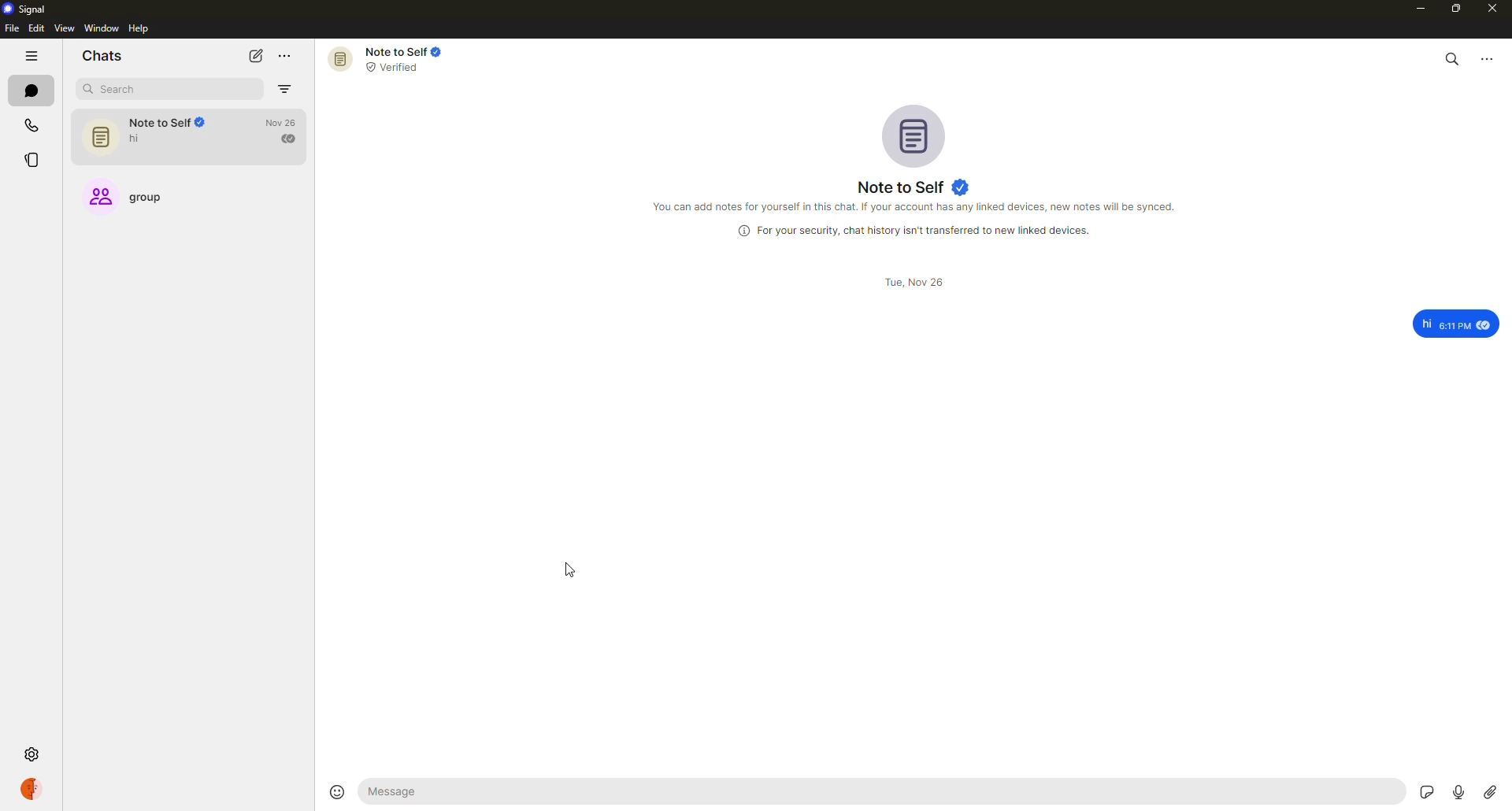  What do you see at coordinates (31, 125) in the screenshot?
I see `calls` at bounding box center [31, 125].